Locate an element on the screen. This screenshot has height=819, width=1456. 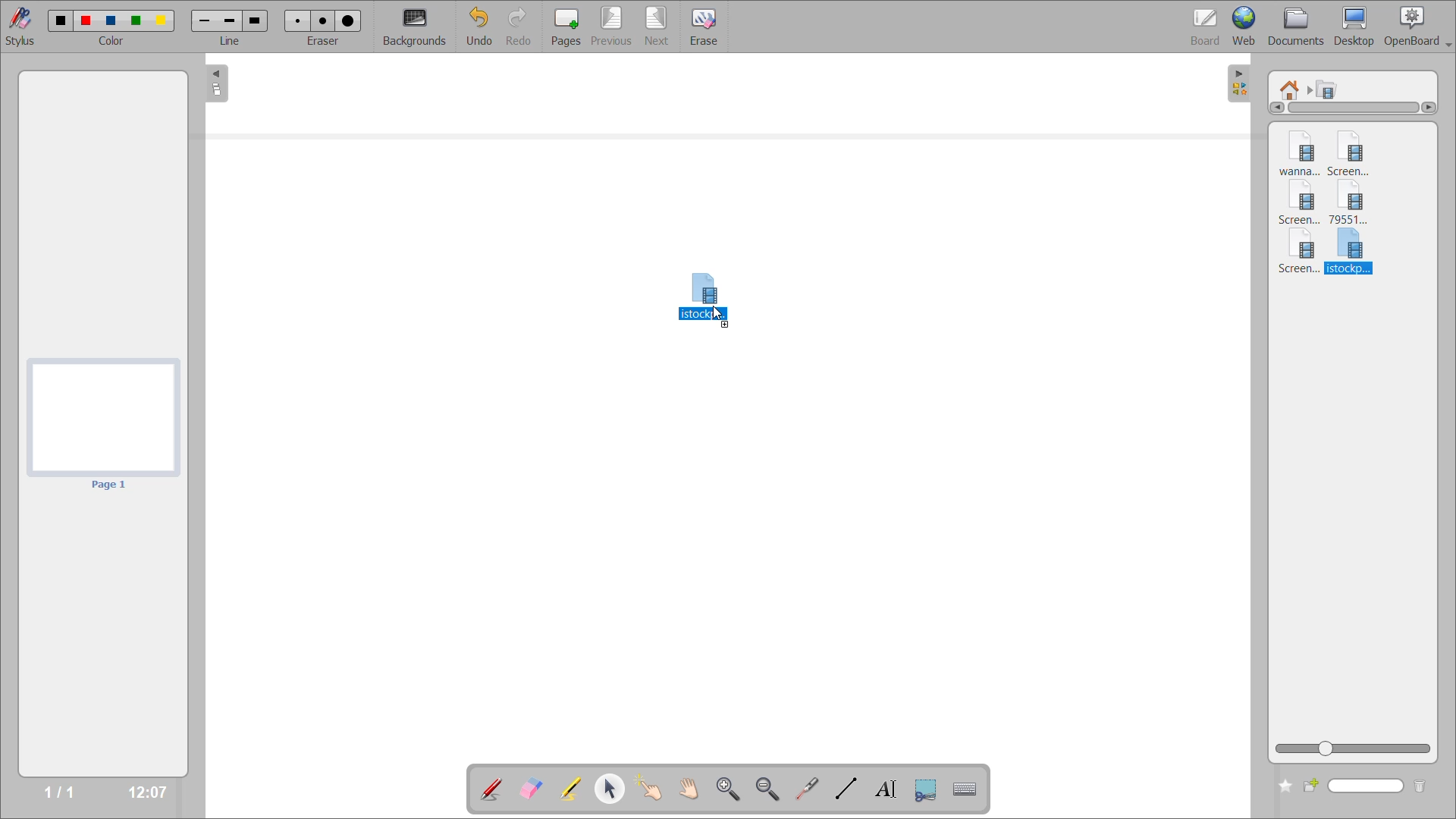
highlight is located at coordinates (569, 786).